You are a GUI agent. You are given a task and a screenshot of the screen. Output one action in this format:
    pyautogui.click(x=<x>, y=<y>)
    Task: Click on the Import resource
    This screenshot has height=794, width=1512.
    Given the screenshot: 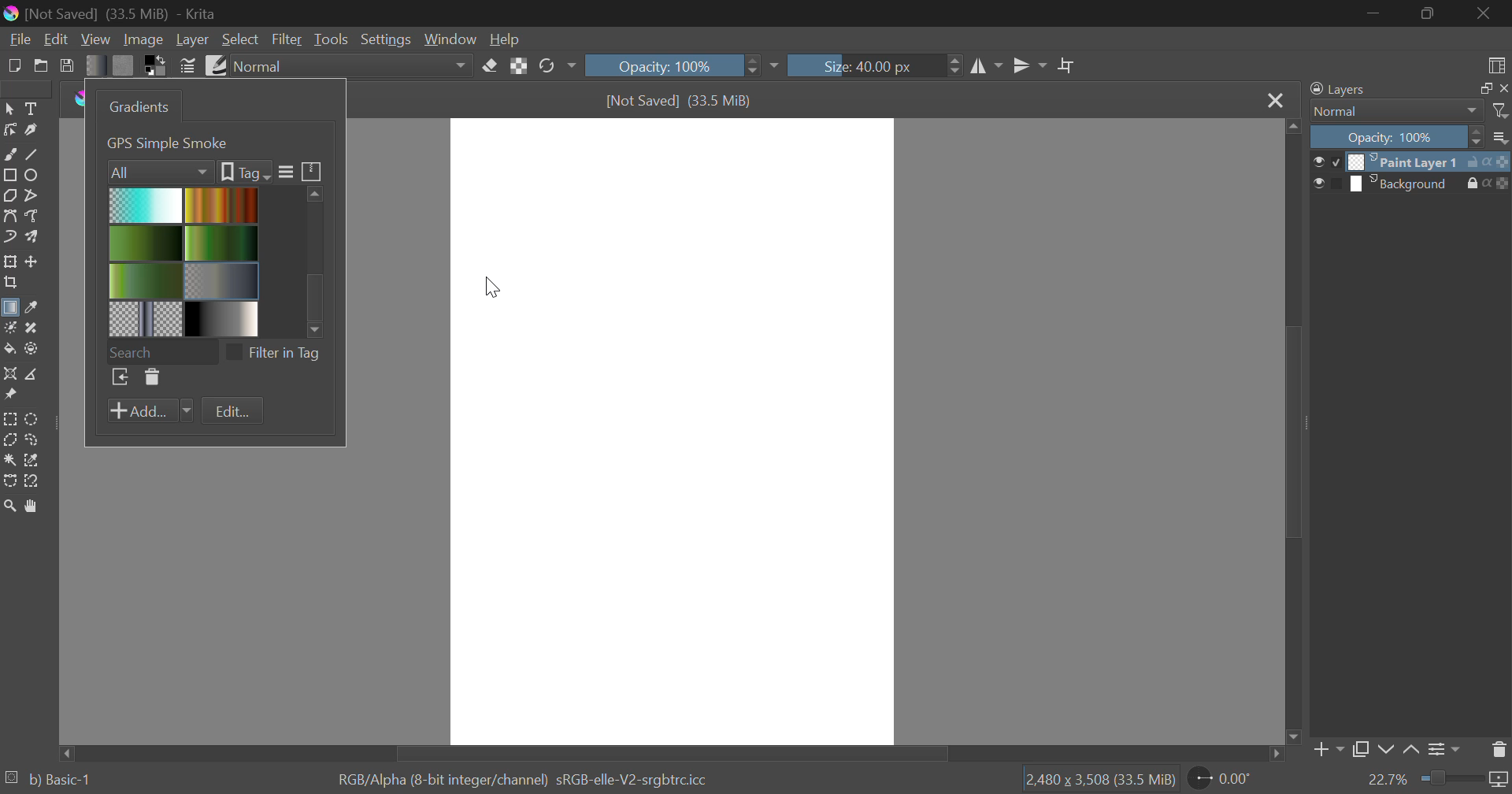 What is the action you would take?
    pyautogui.click(x=120, y=379)
    